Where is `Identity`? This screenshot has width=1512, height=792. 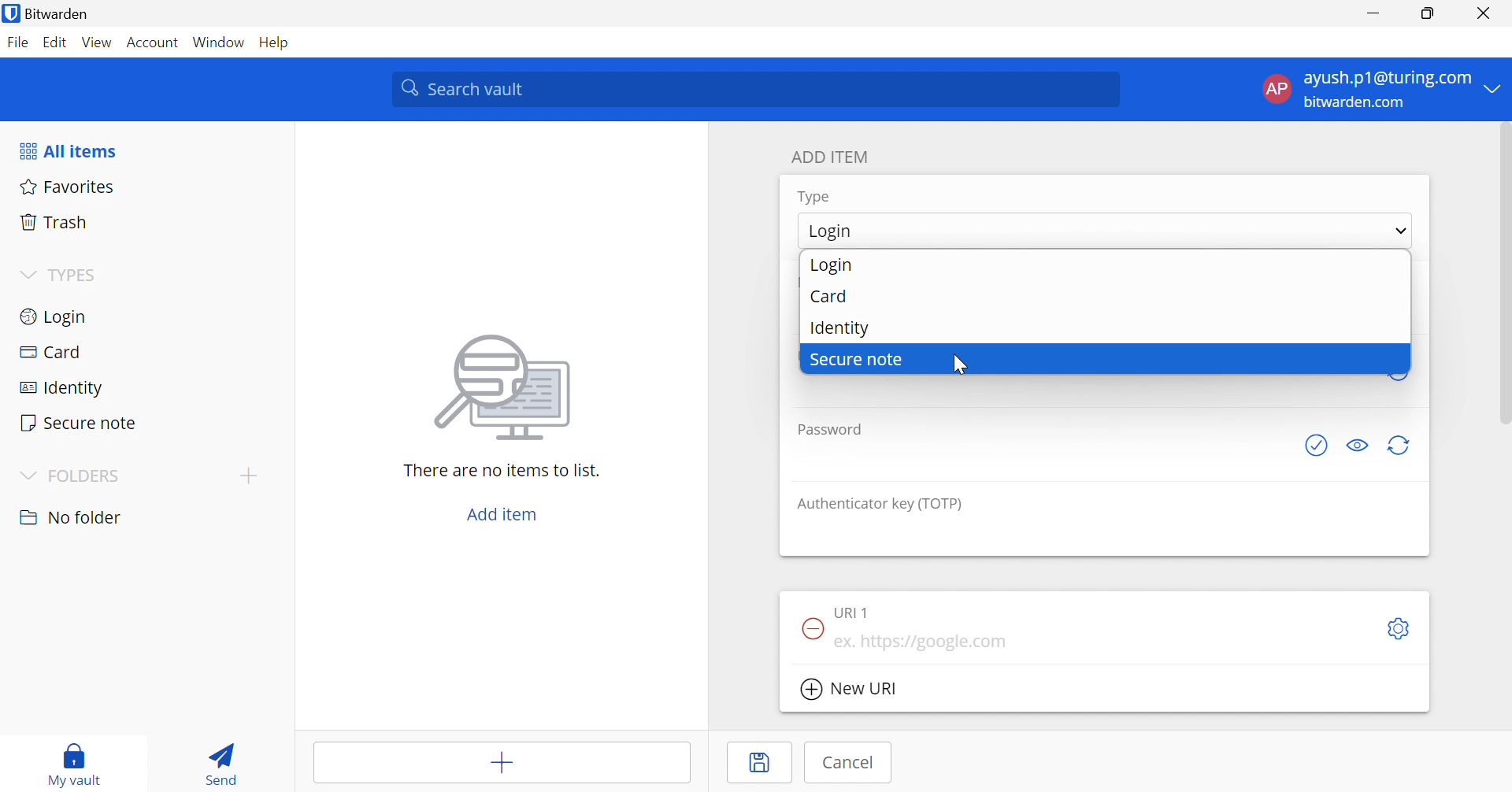 Identity is located at coordinates (140, 383).